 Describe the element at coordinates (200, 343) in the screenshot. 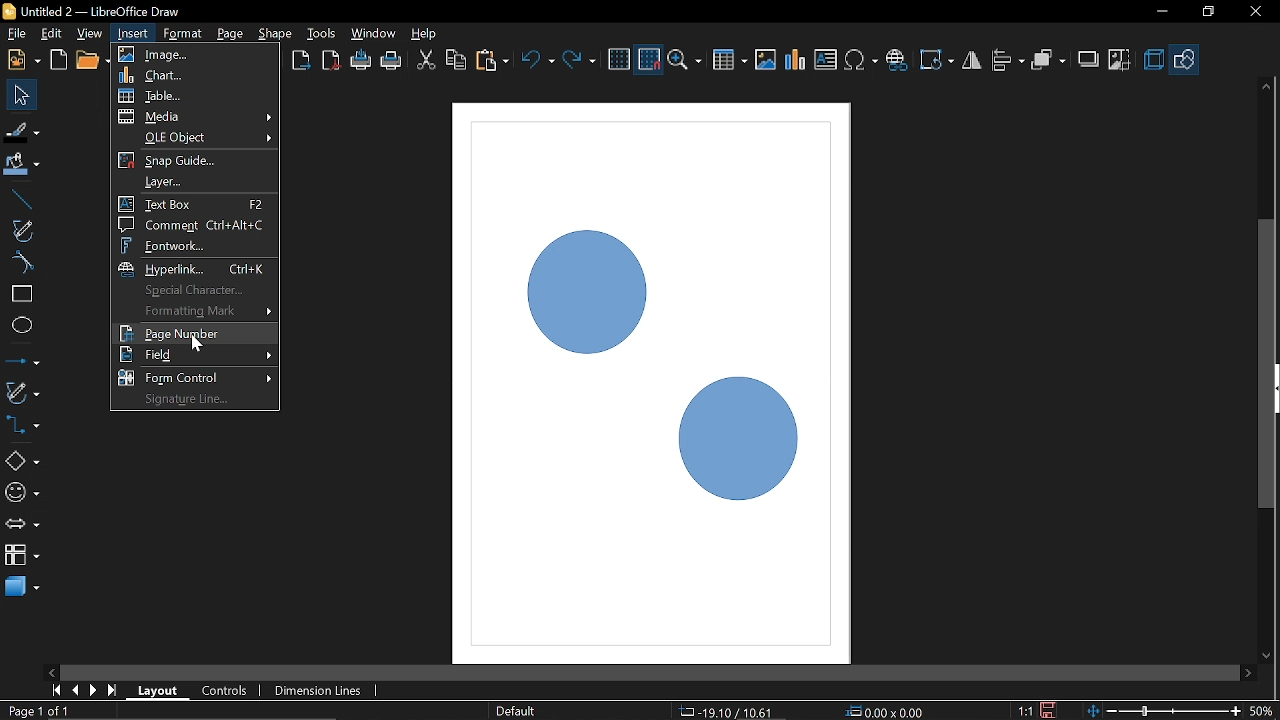

I see `Cursor` at that location.